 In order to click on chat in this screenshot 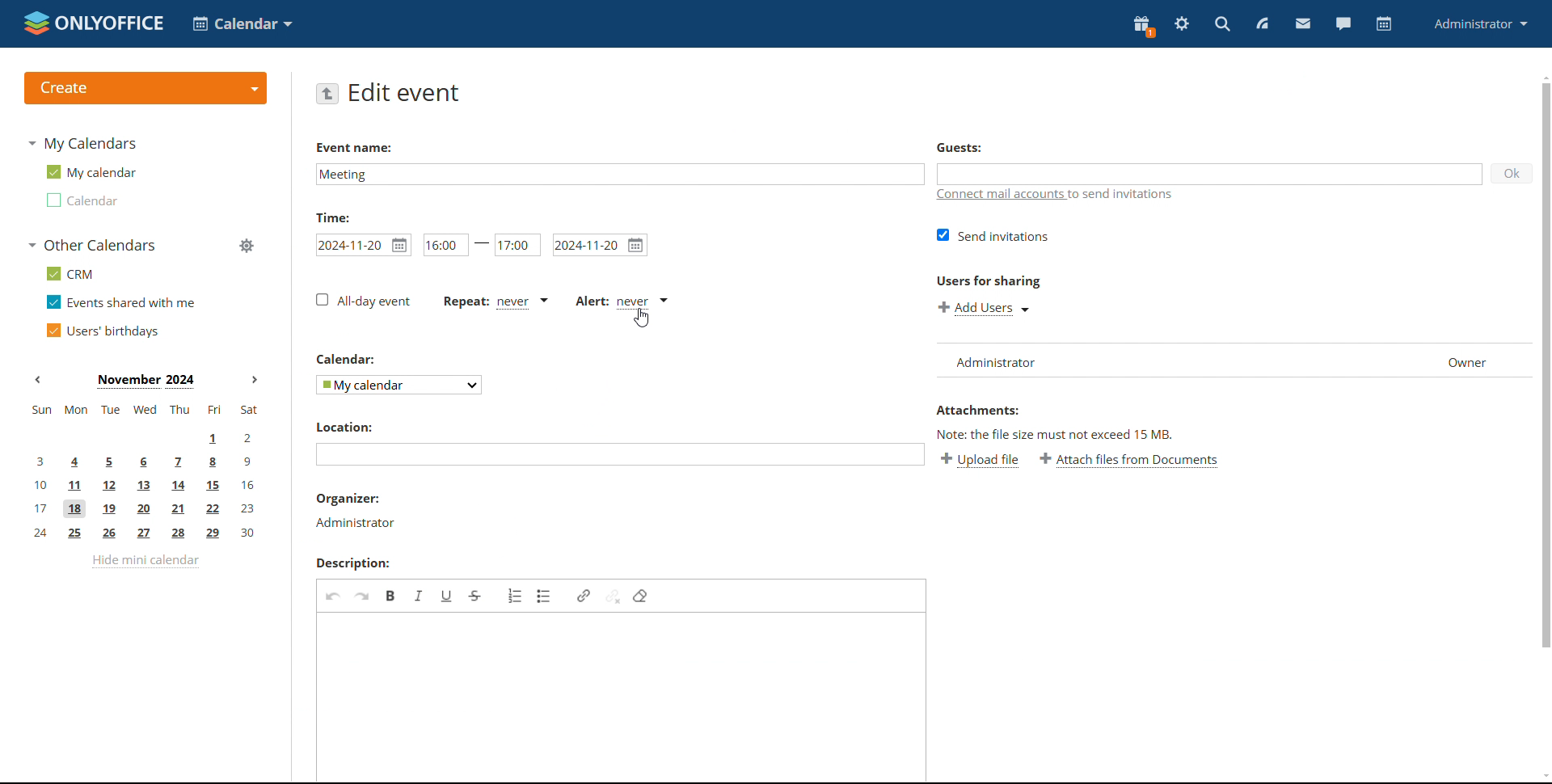, I will do `click(1342, 24)`.